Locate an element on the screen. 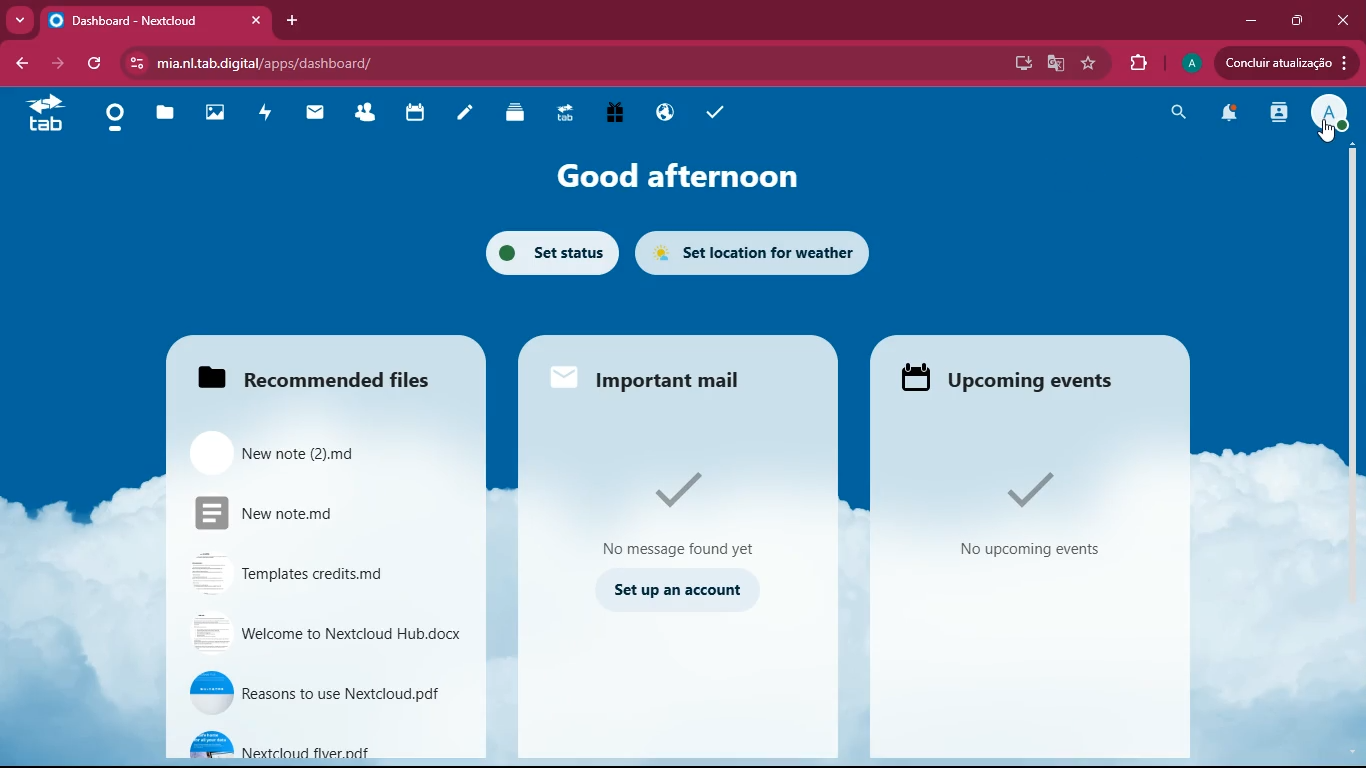 This screenshot has width=1366, height=768. Templates credits.md is located at coordinates (299, 577).